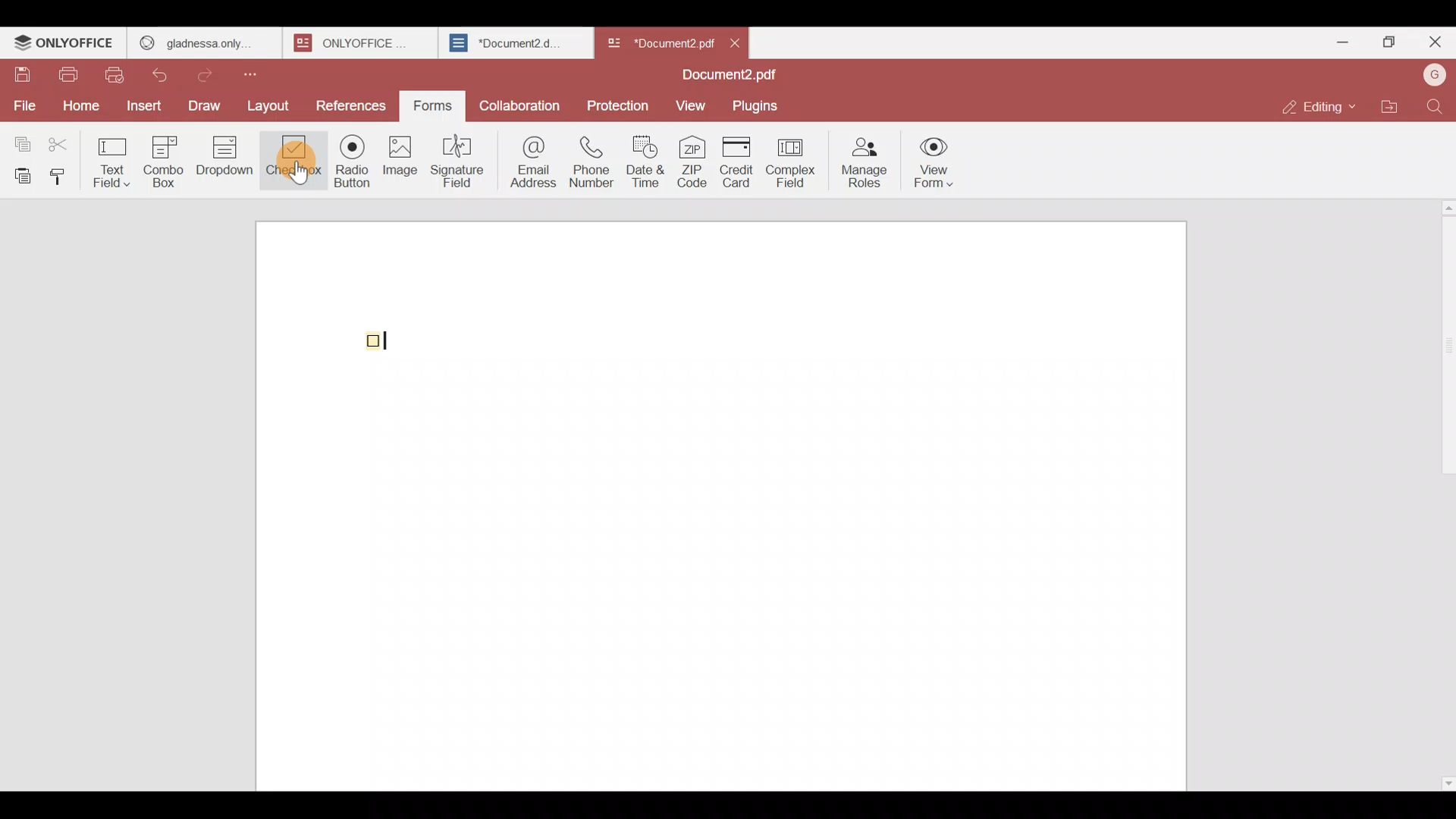 The width and height of the screenshot is (1456, 819). I want to click on Radio, so click(347, 165).